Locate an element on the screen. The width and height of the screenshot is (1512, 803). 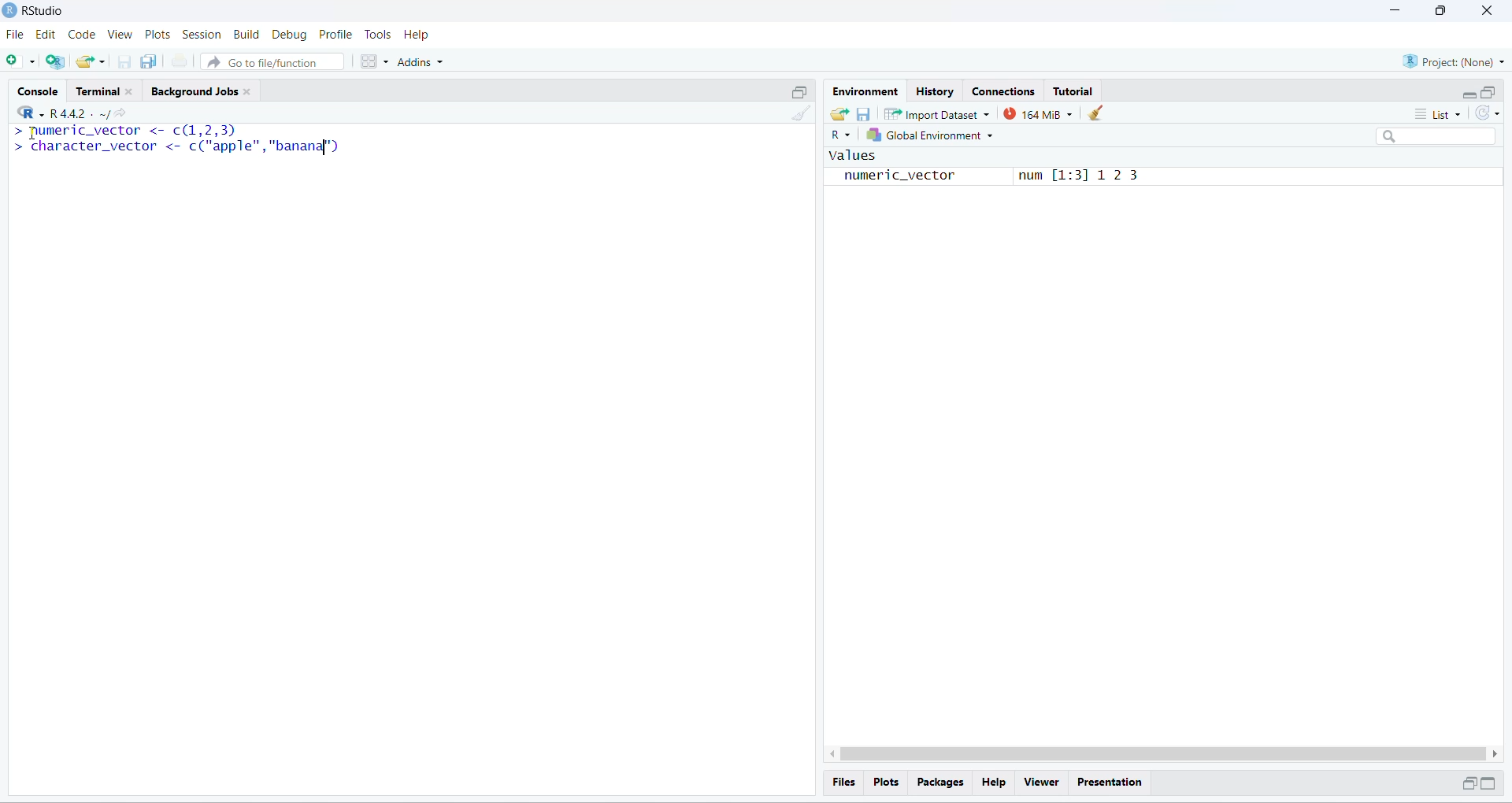
R is located at coordinates (839, 135).